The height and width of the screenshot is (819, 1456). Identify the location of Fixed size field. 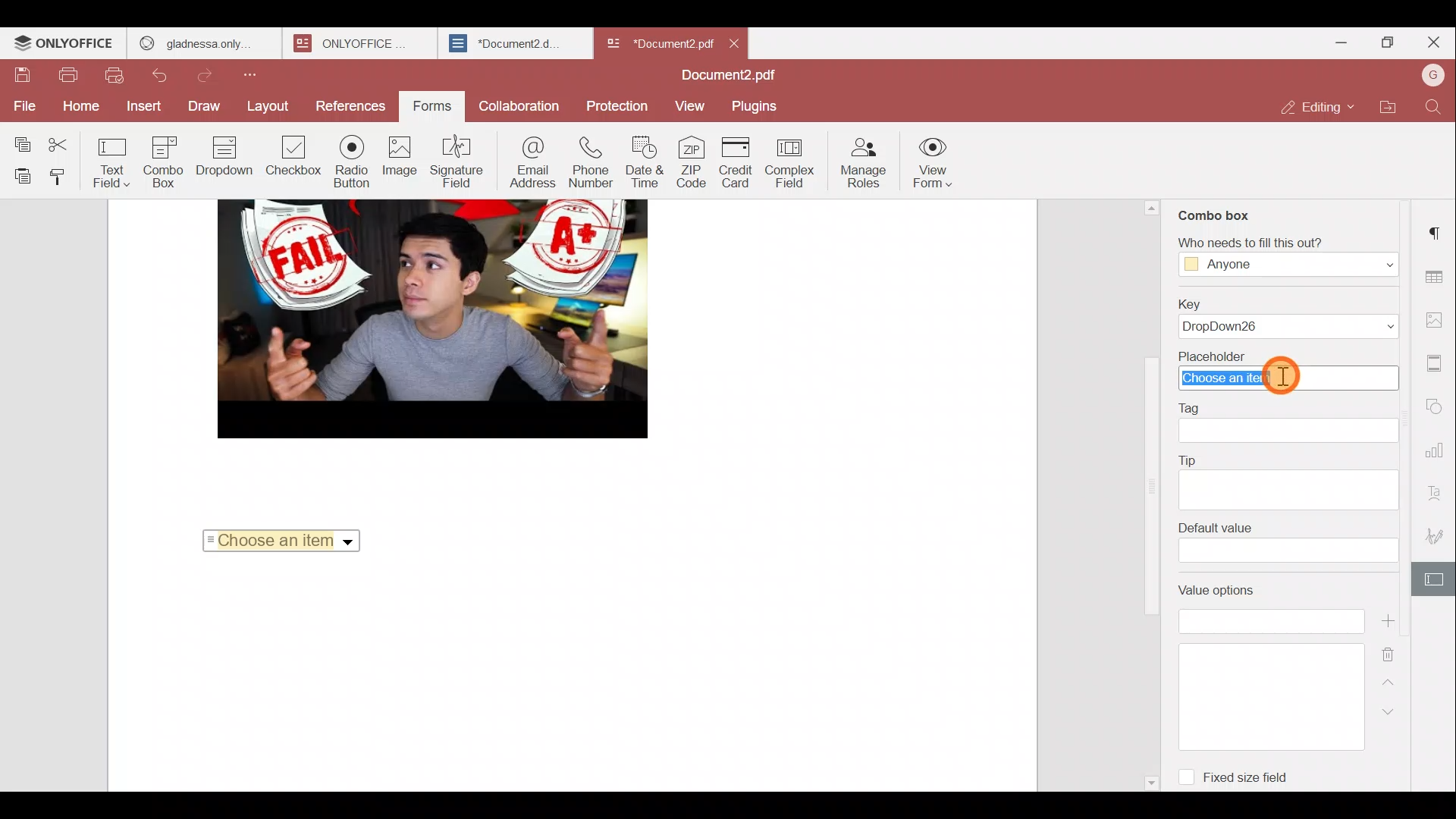
(1236, 773).